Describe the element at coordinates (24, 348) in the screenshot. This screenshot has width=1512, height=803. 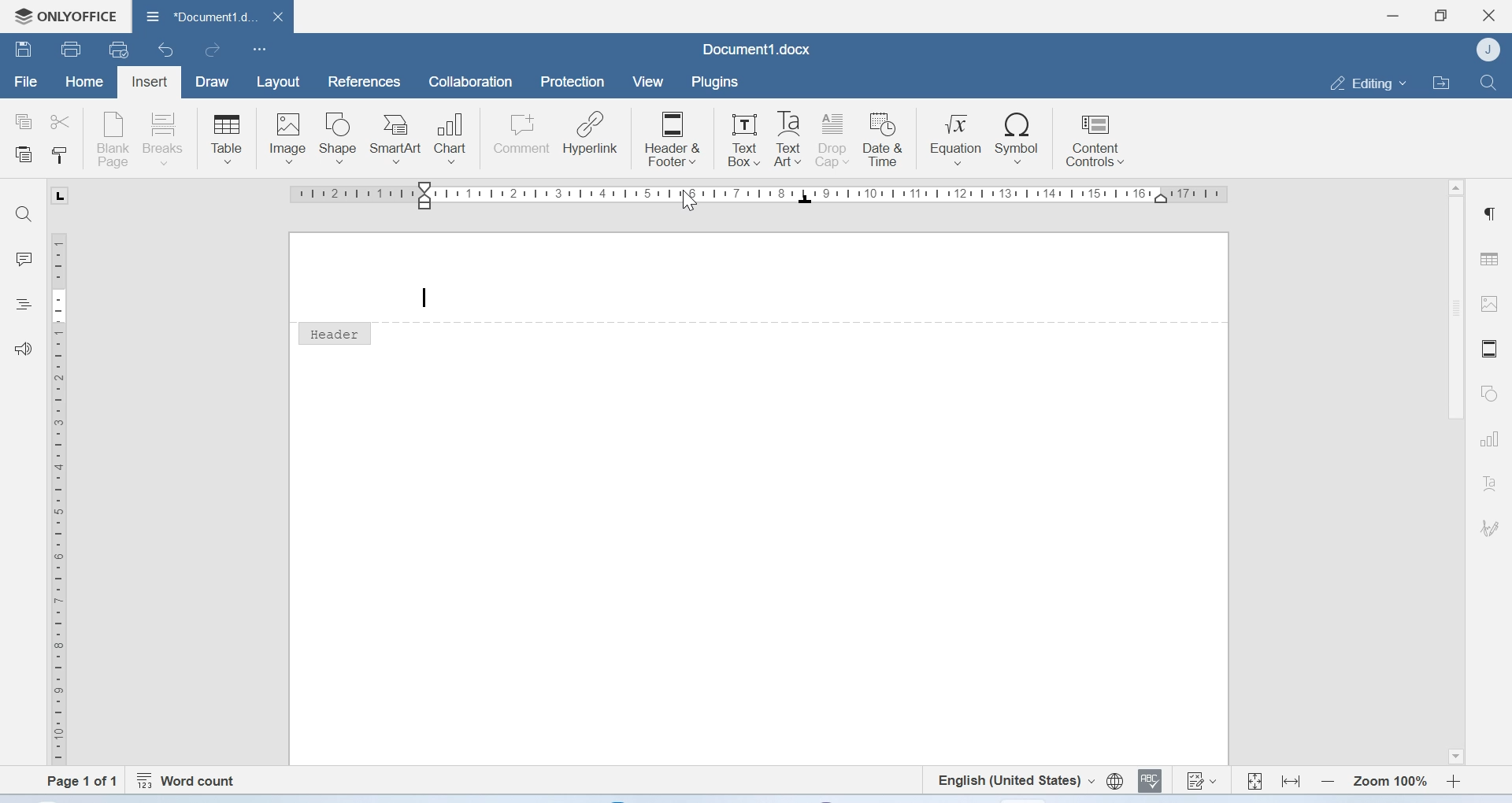
I see `Feedback and support` at that location.